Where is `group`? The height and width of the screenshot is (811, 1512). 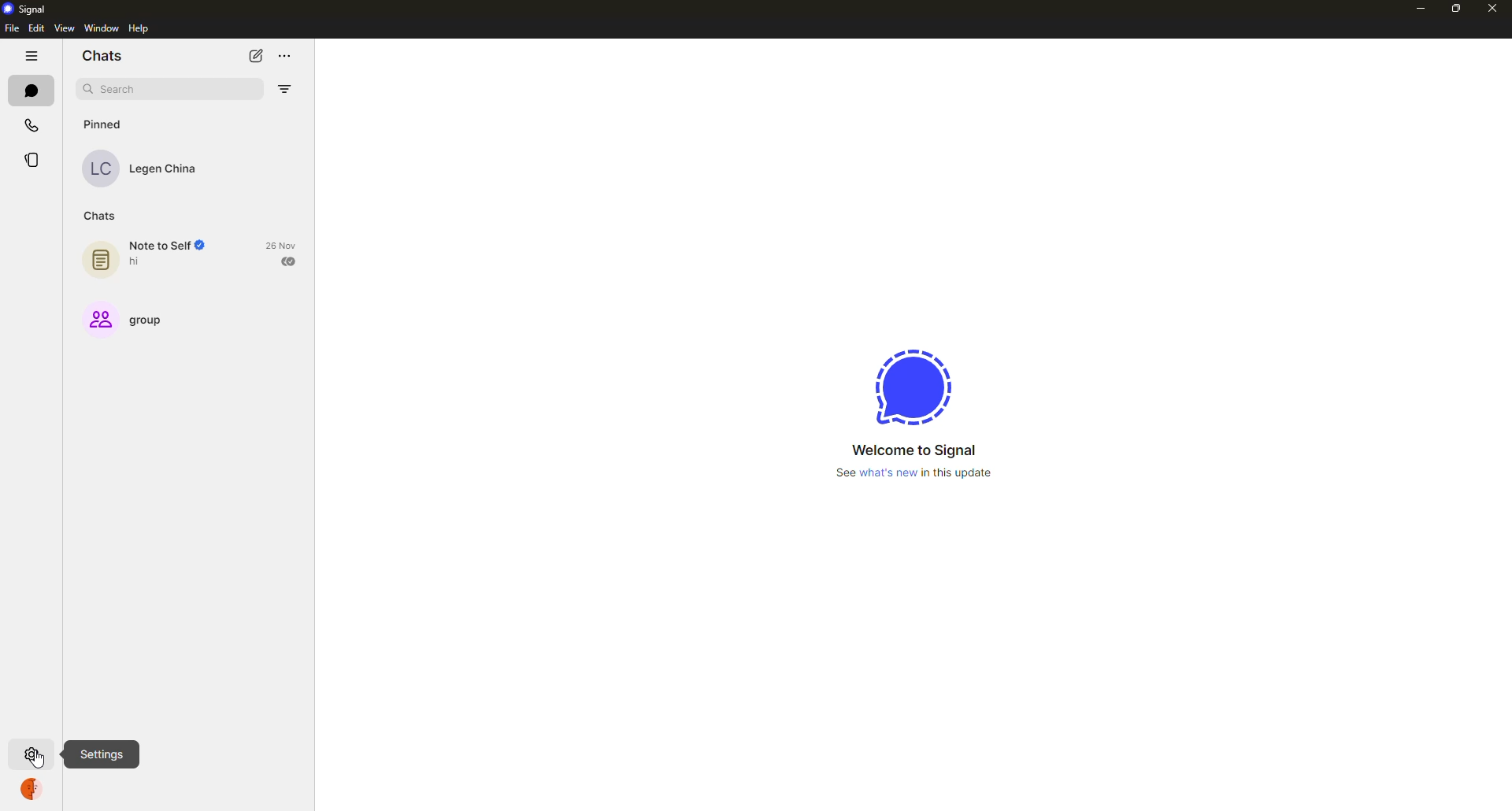 group is located at coordinates (146, 320).